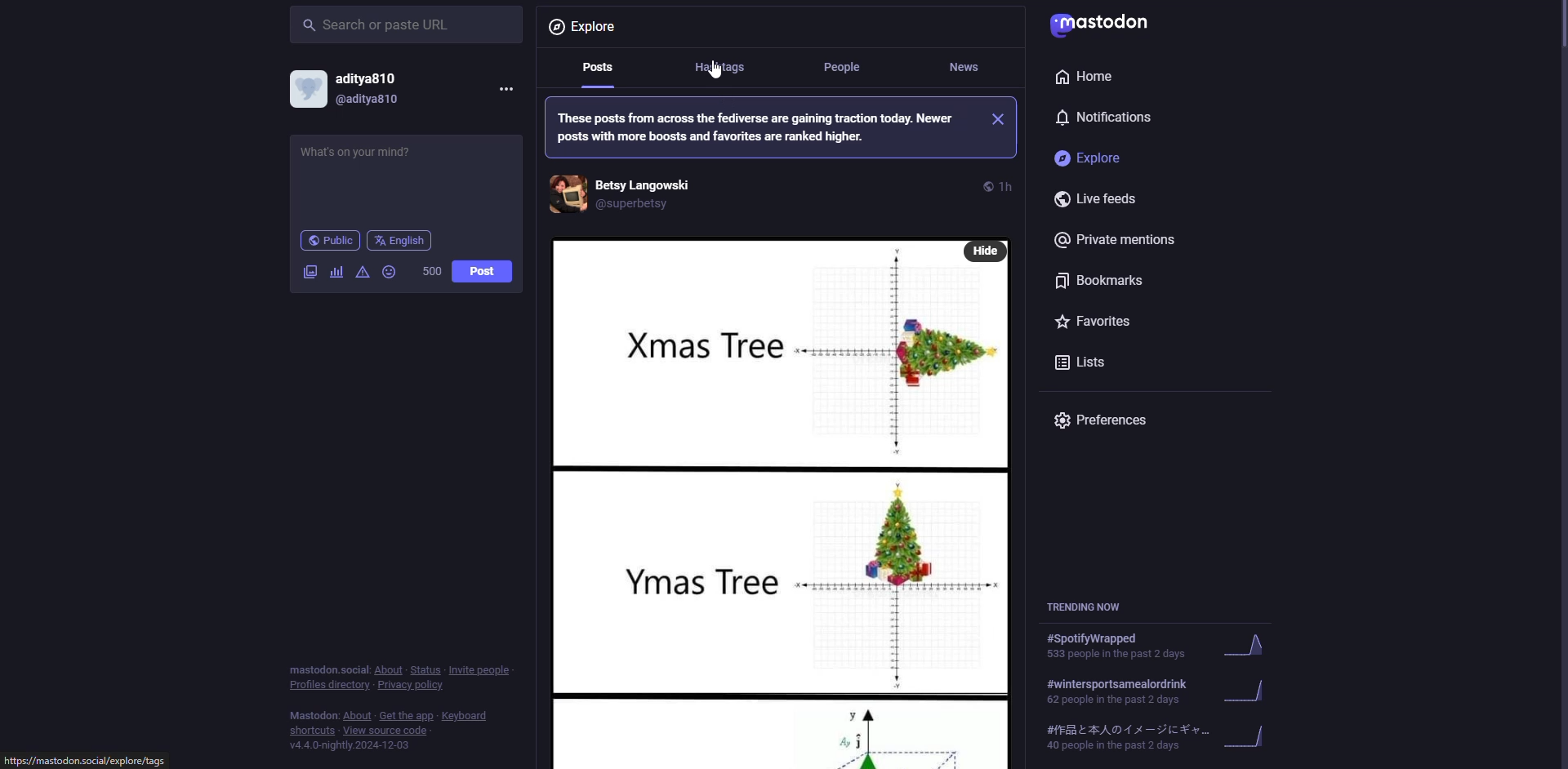 The width and height of the screenshot is (1568, 769). What do you see at coordinates (359, 89) in the screenshot?
I see `account` at bounding box center [359, 89].